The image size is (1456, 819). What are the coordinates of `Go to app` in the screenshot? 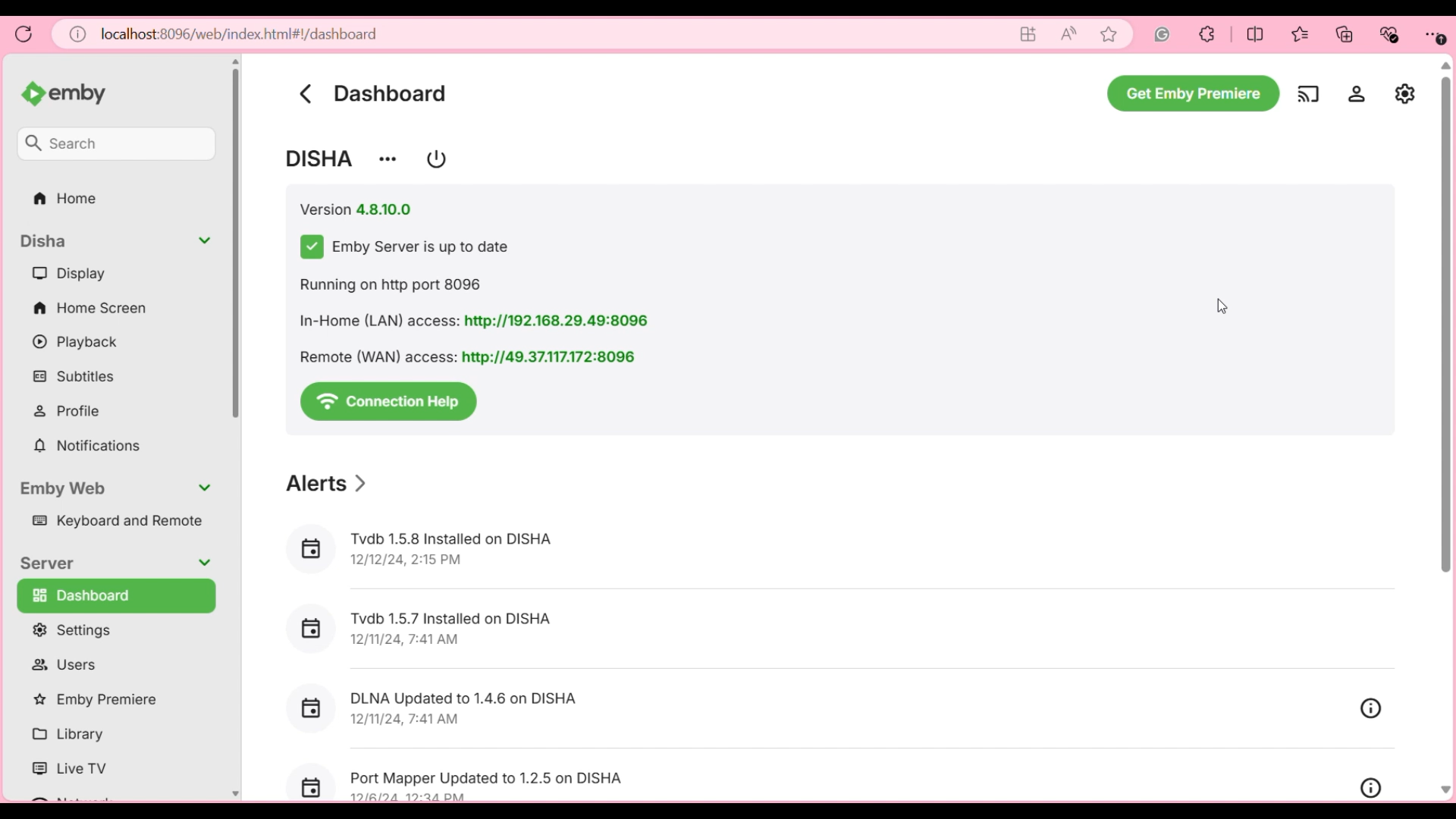 It's located at (1029, 34).